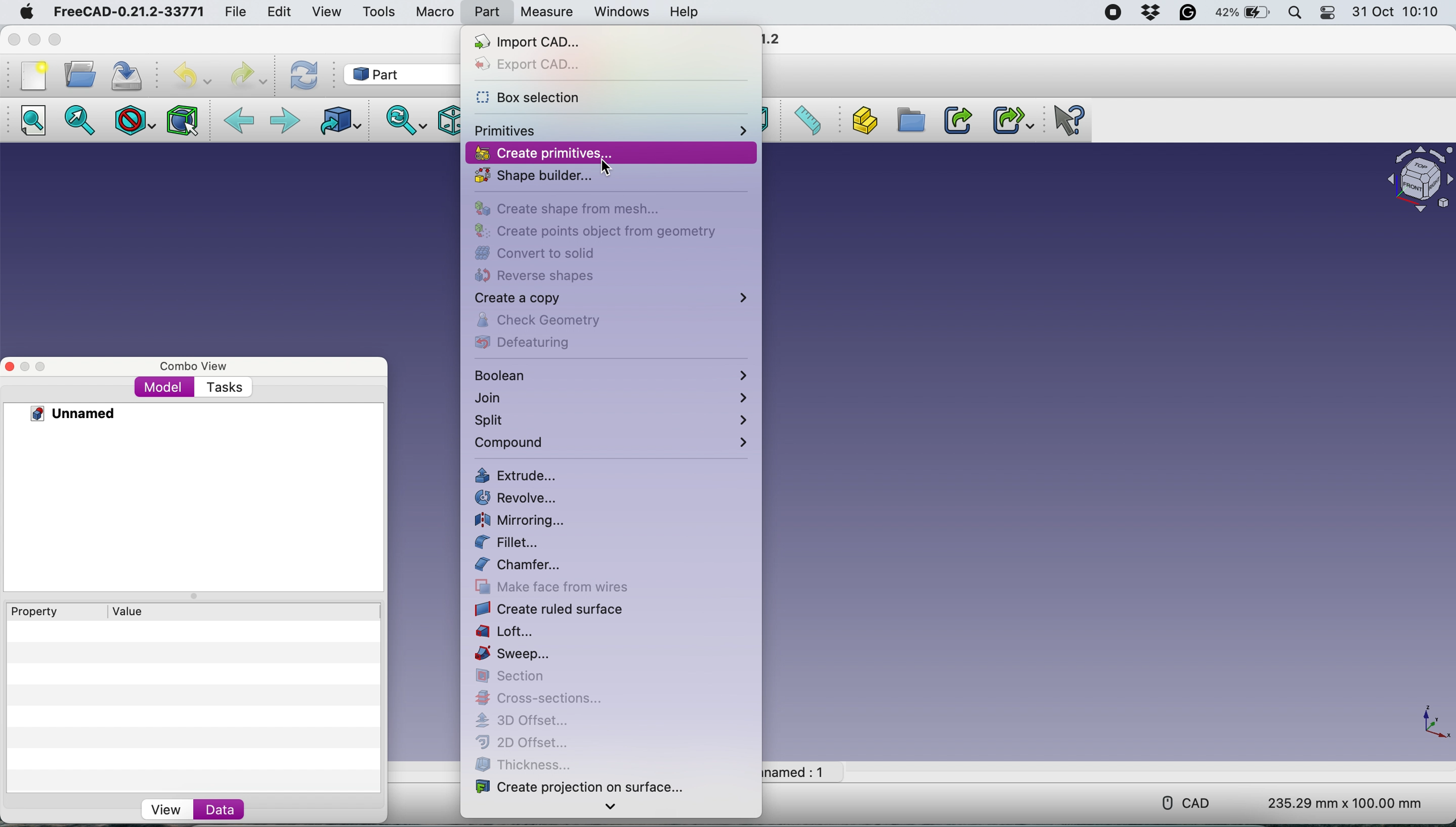  I want to click on Close, so click(10, 365).